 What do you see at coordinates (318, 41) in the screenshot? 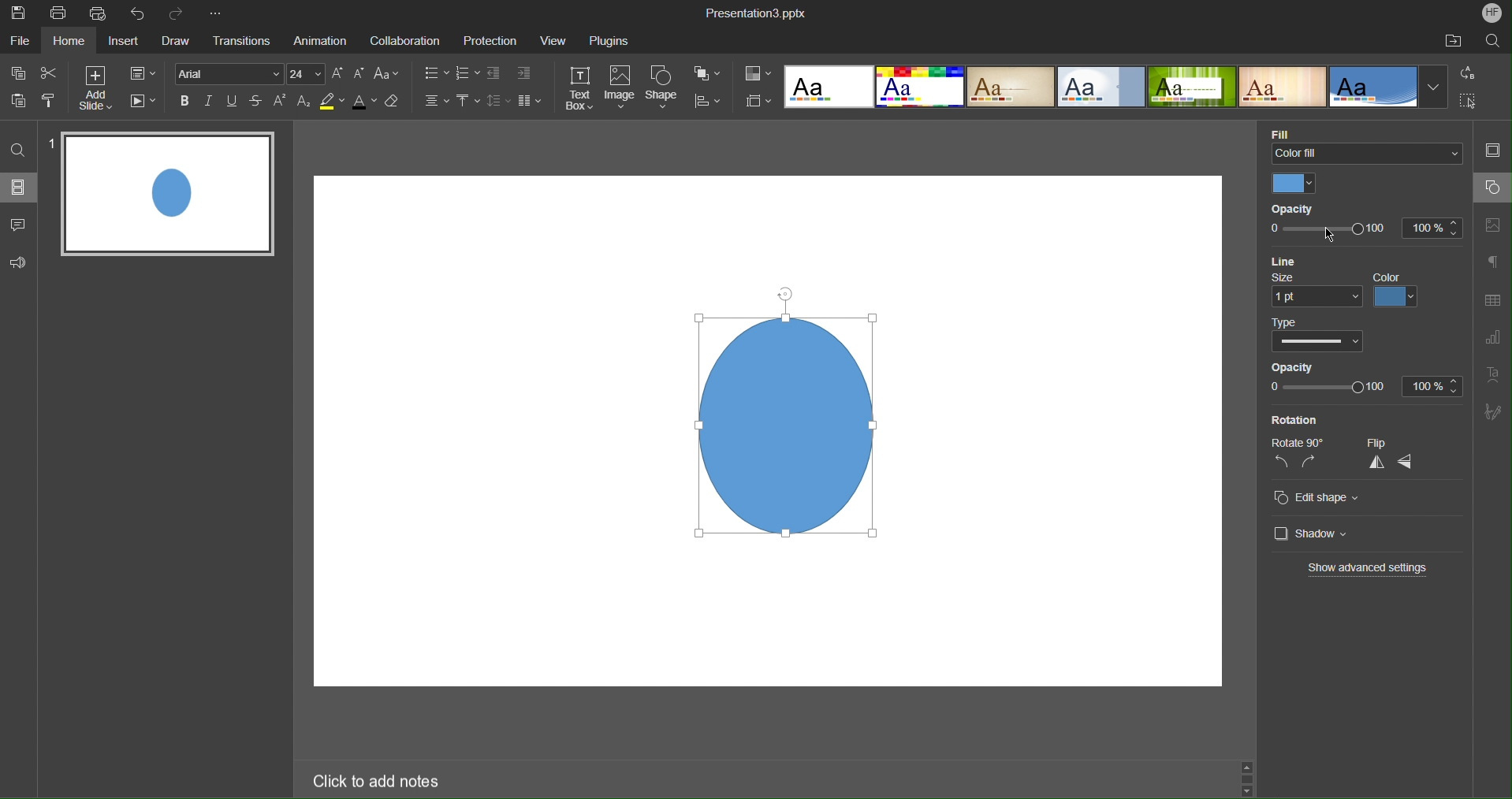
I see `Animation` at bounding box center [318, 41].